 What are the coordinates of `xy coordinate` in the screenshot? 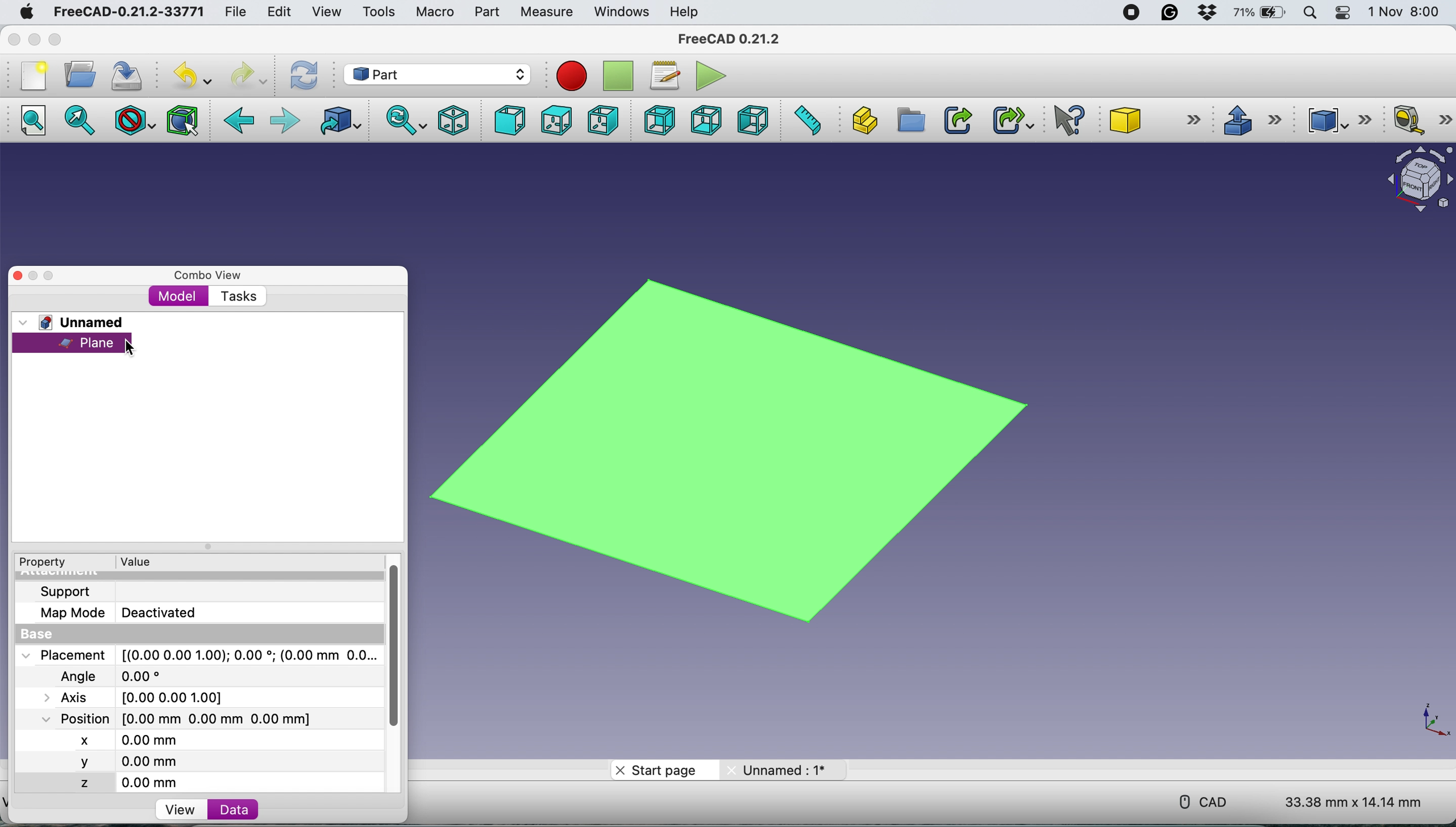 It's located at (1428, 722).